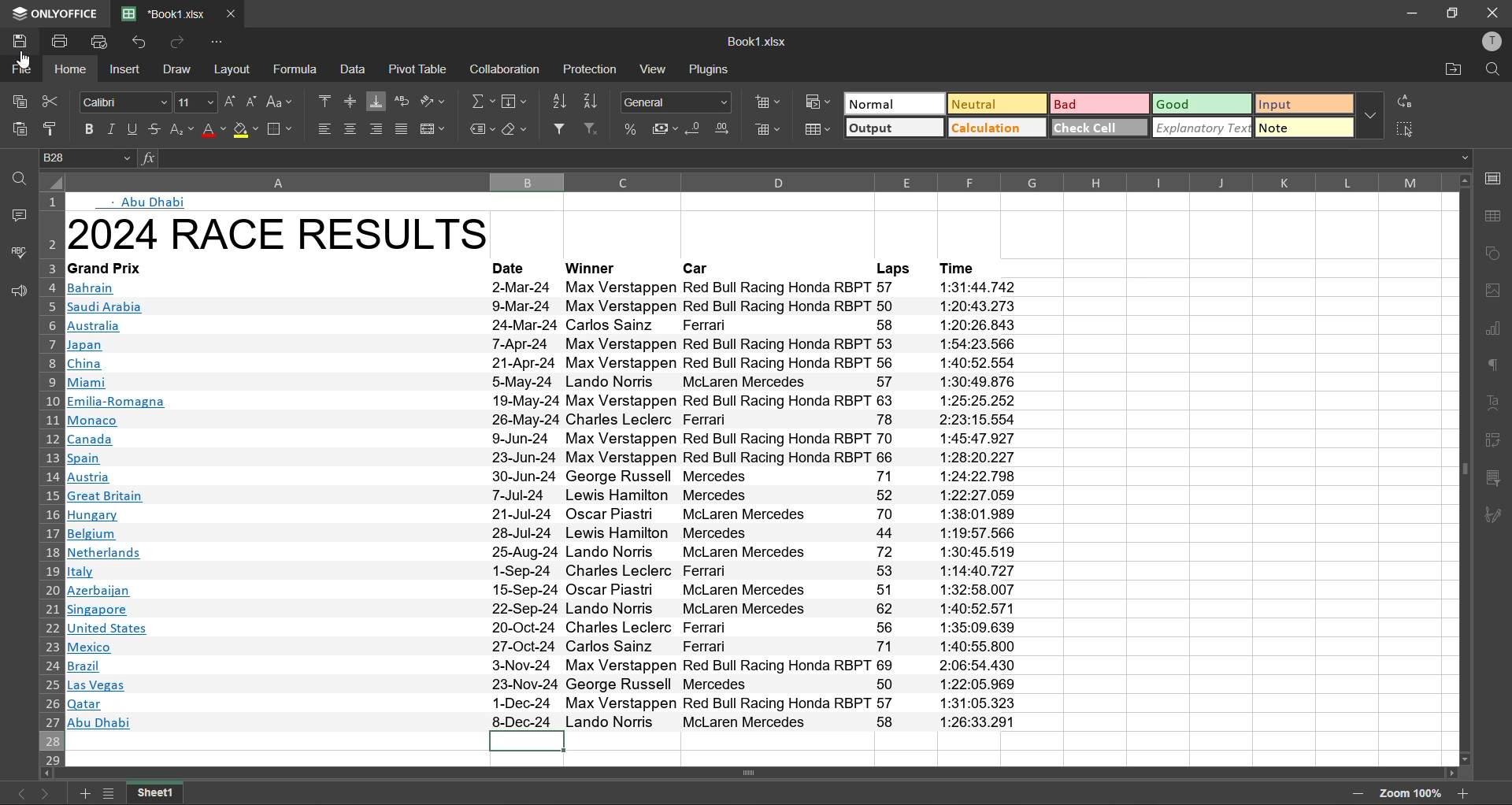  I want to click on signature, so click(1498, 514).